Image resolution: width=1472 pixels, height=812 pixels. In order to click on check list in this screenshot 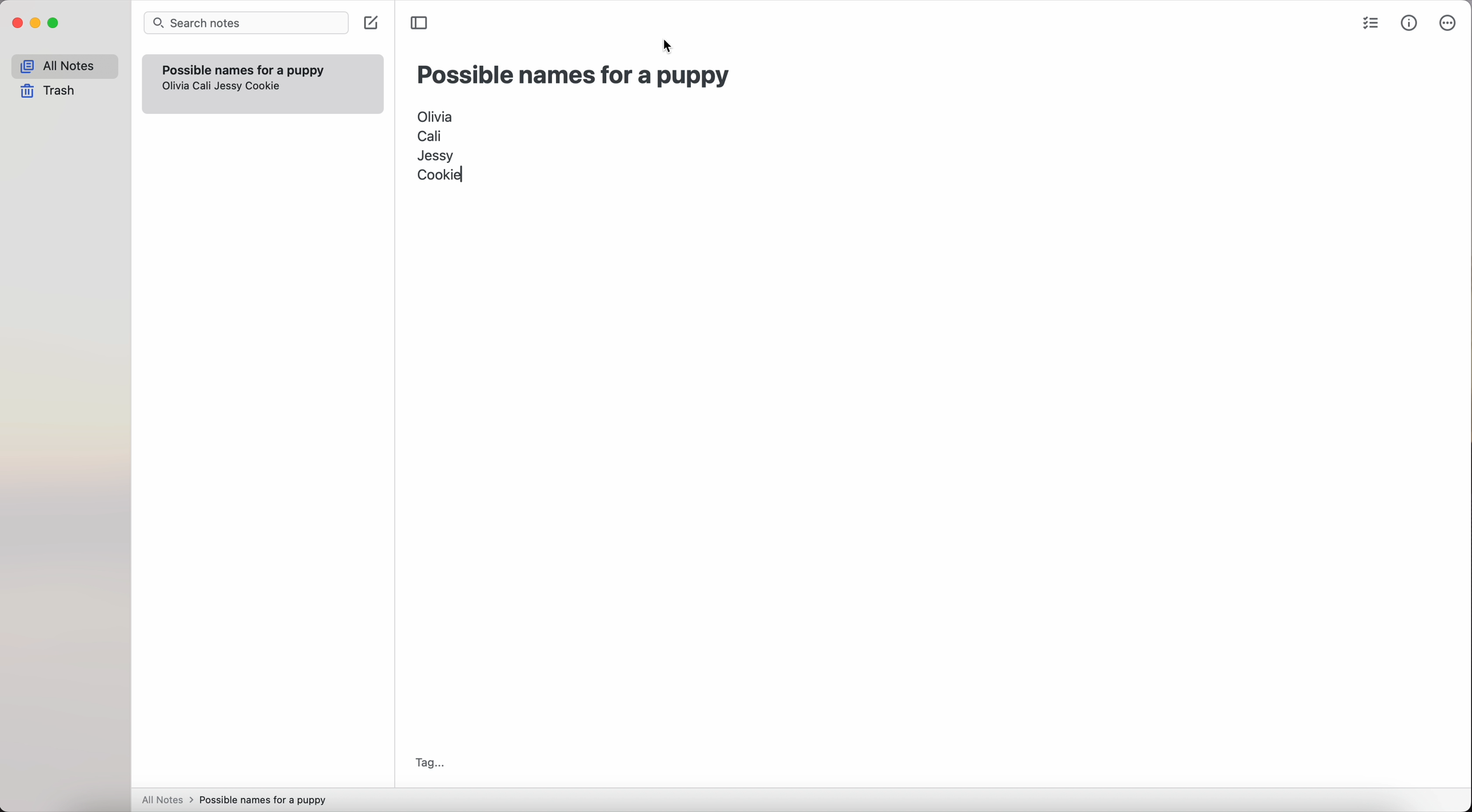, I will do `click(1370, 25)`.